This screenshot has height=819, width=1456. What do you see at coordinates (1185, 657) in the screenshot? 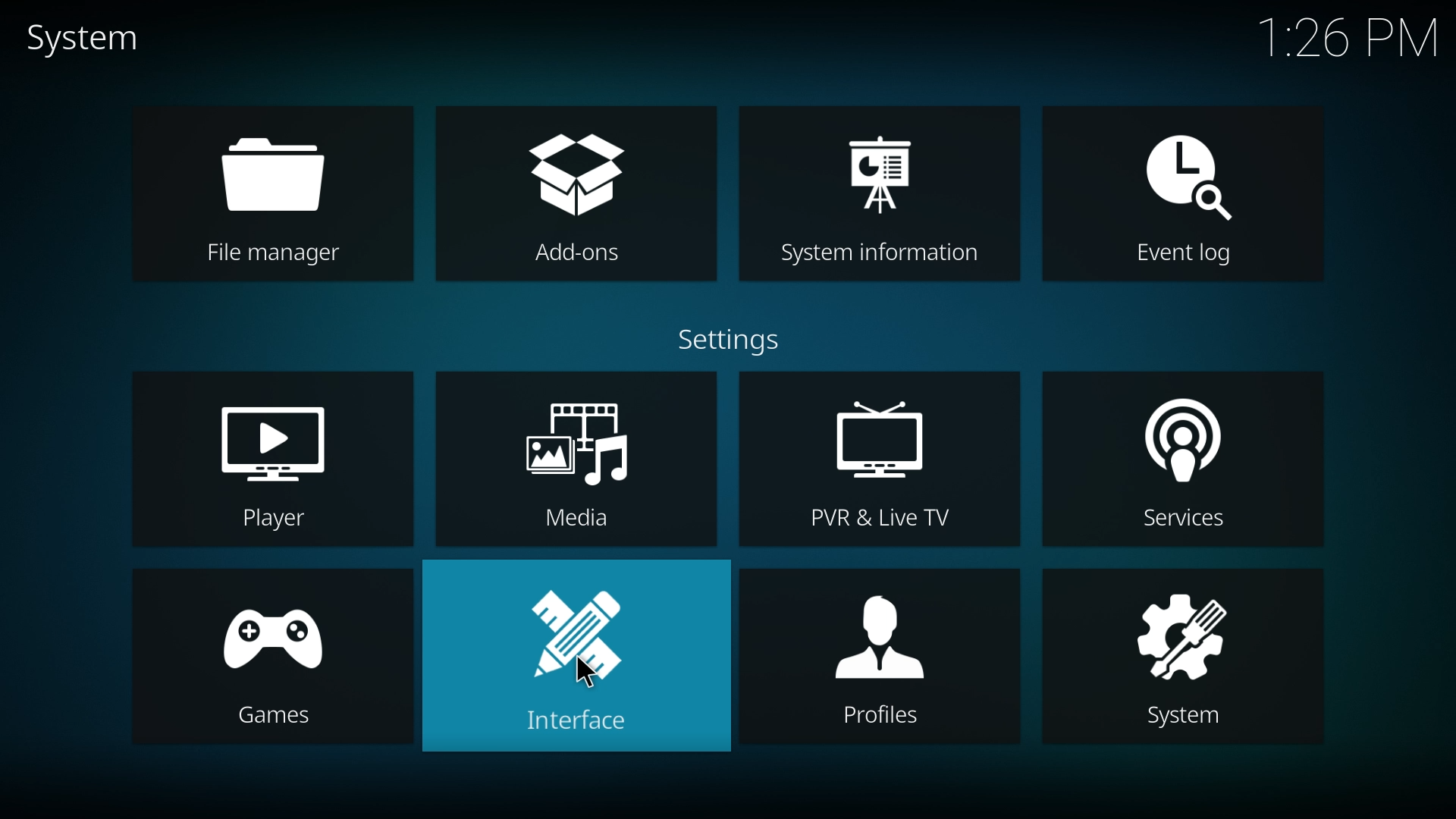
I see `system` at bounding box center [1185, 657].